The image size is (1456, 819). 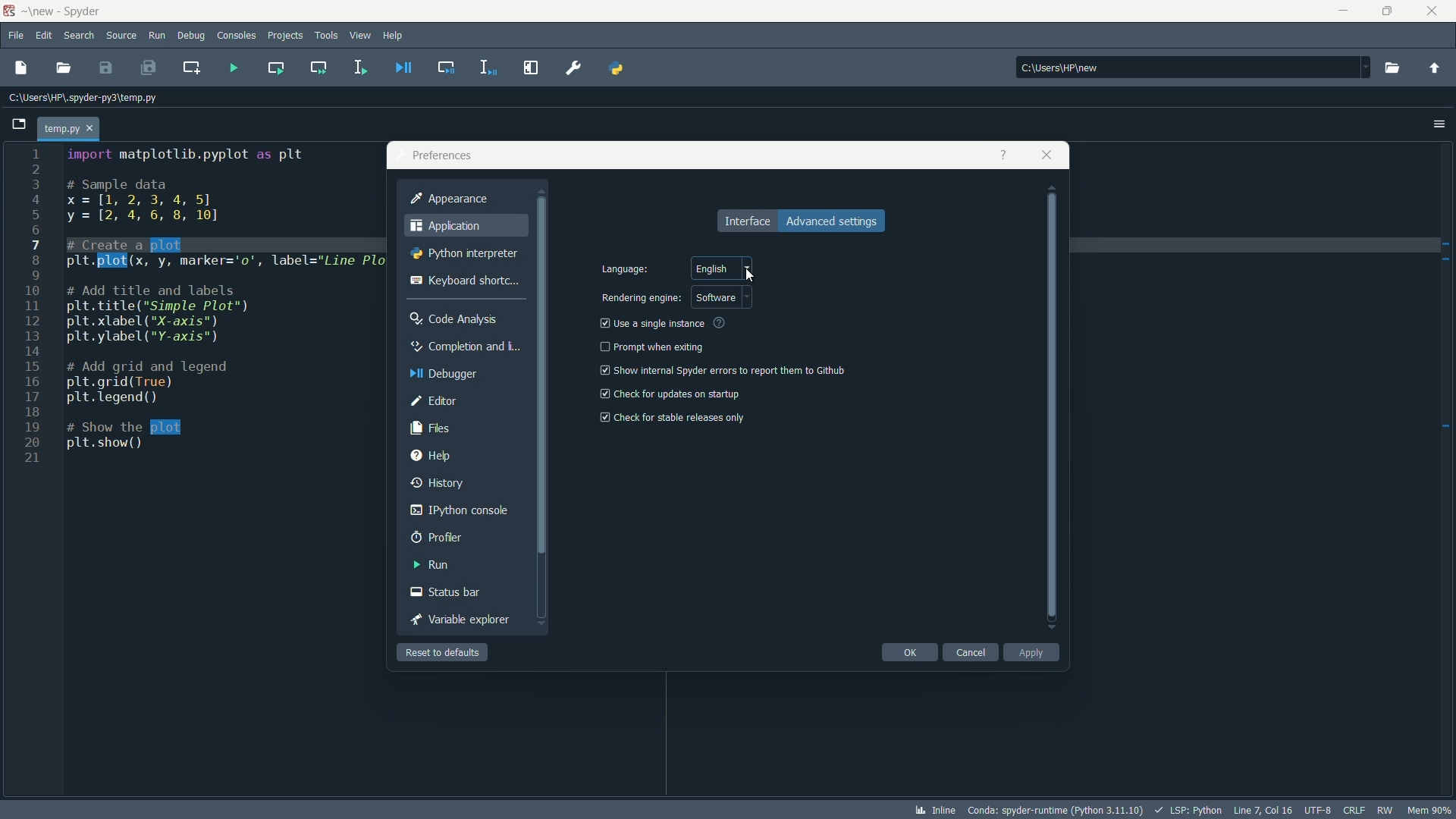 What do you see at coordinates (745, 221) in the screenshot?
I see `interface` at bounding box center [745, 221].